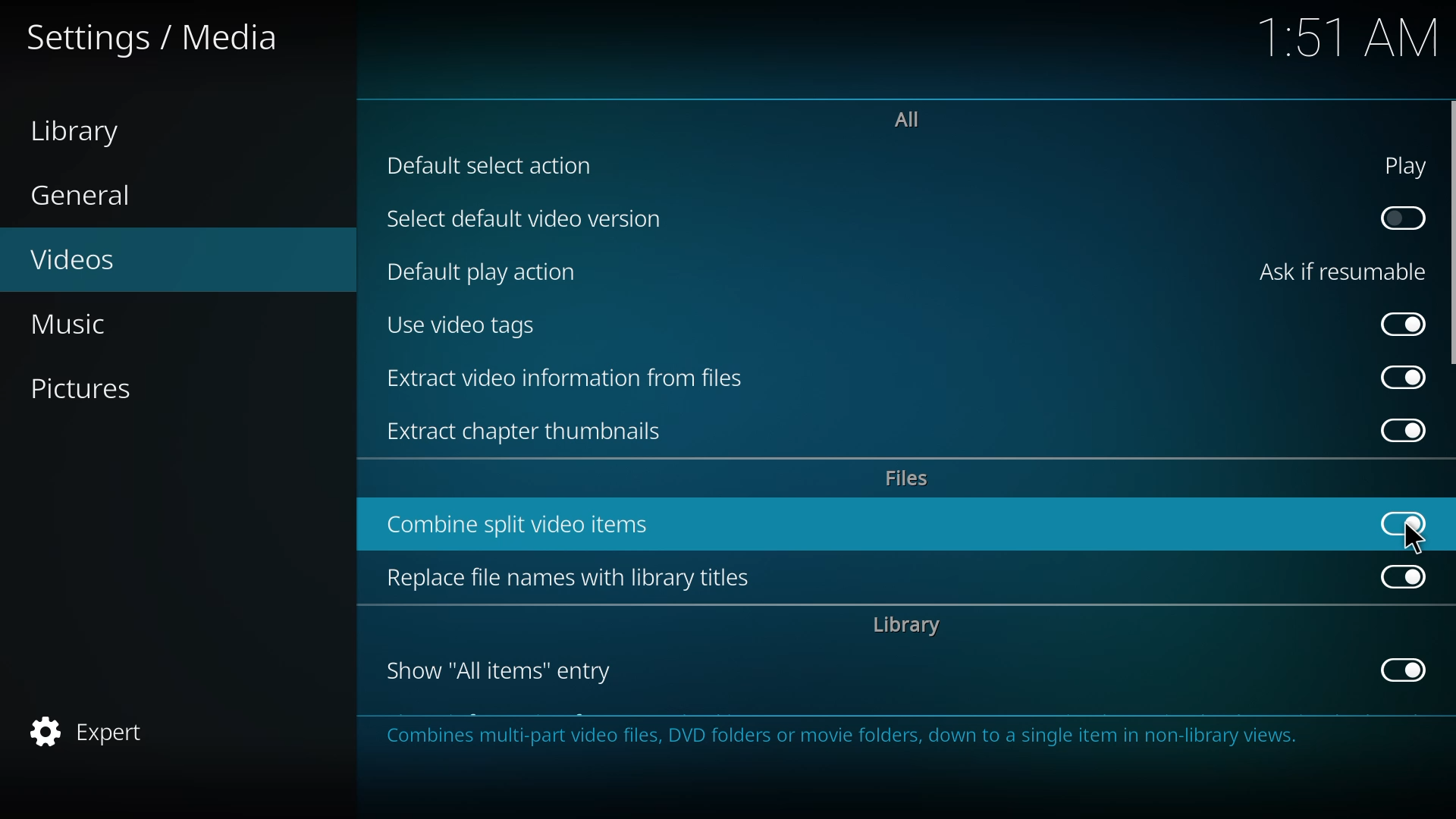 The image size is (1456, 819). I want to click on default play action, so click(483, 270).